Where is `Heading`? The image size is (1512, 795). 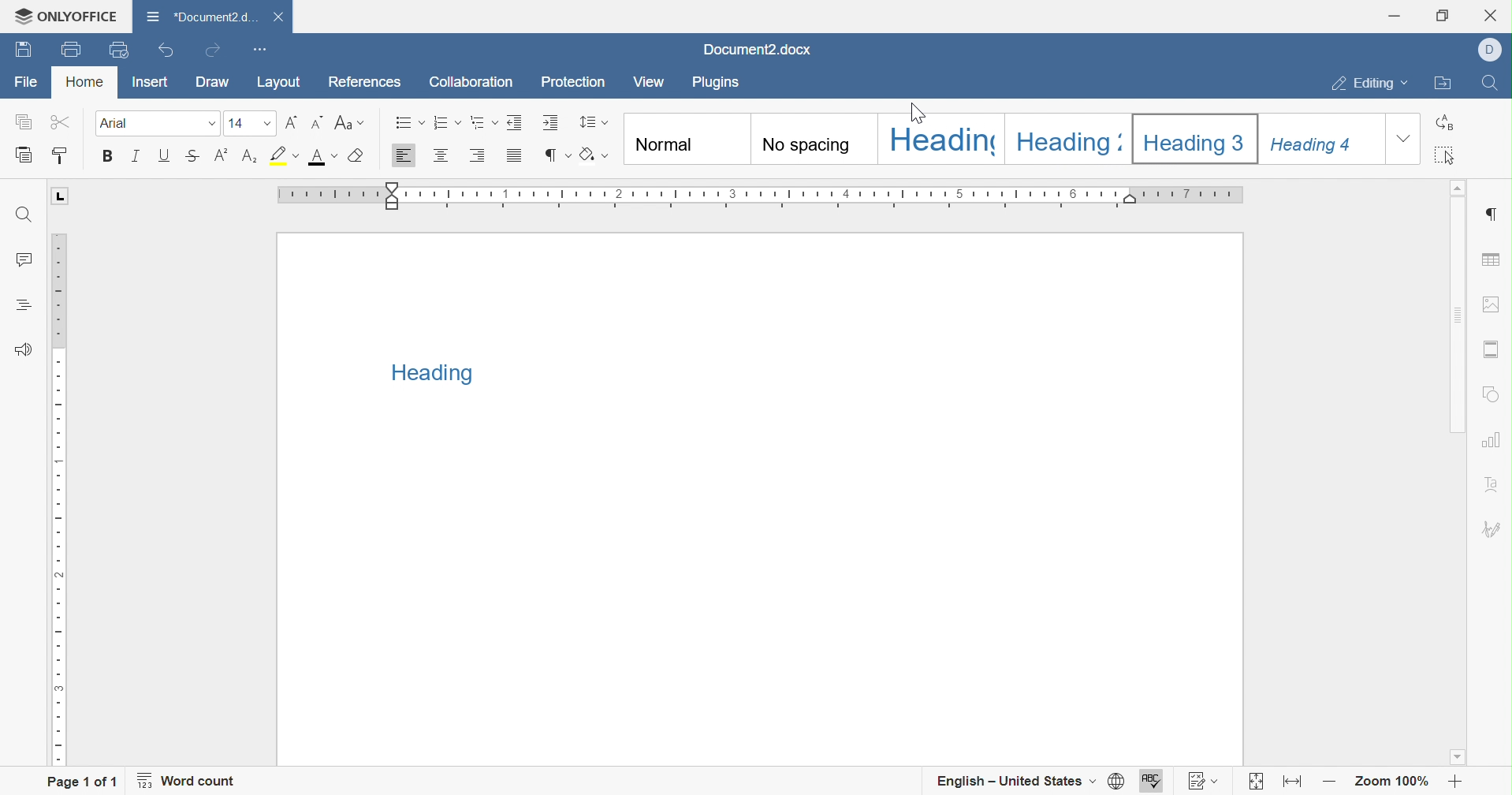
Heading is located at coordinates (1067, 137).